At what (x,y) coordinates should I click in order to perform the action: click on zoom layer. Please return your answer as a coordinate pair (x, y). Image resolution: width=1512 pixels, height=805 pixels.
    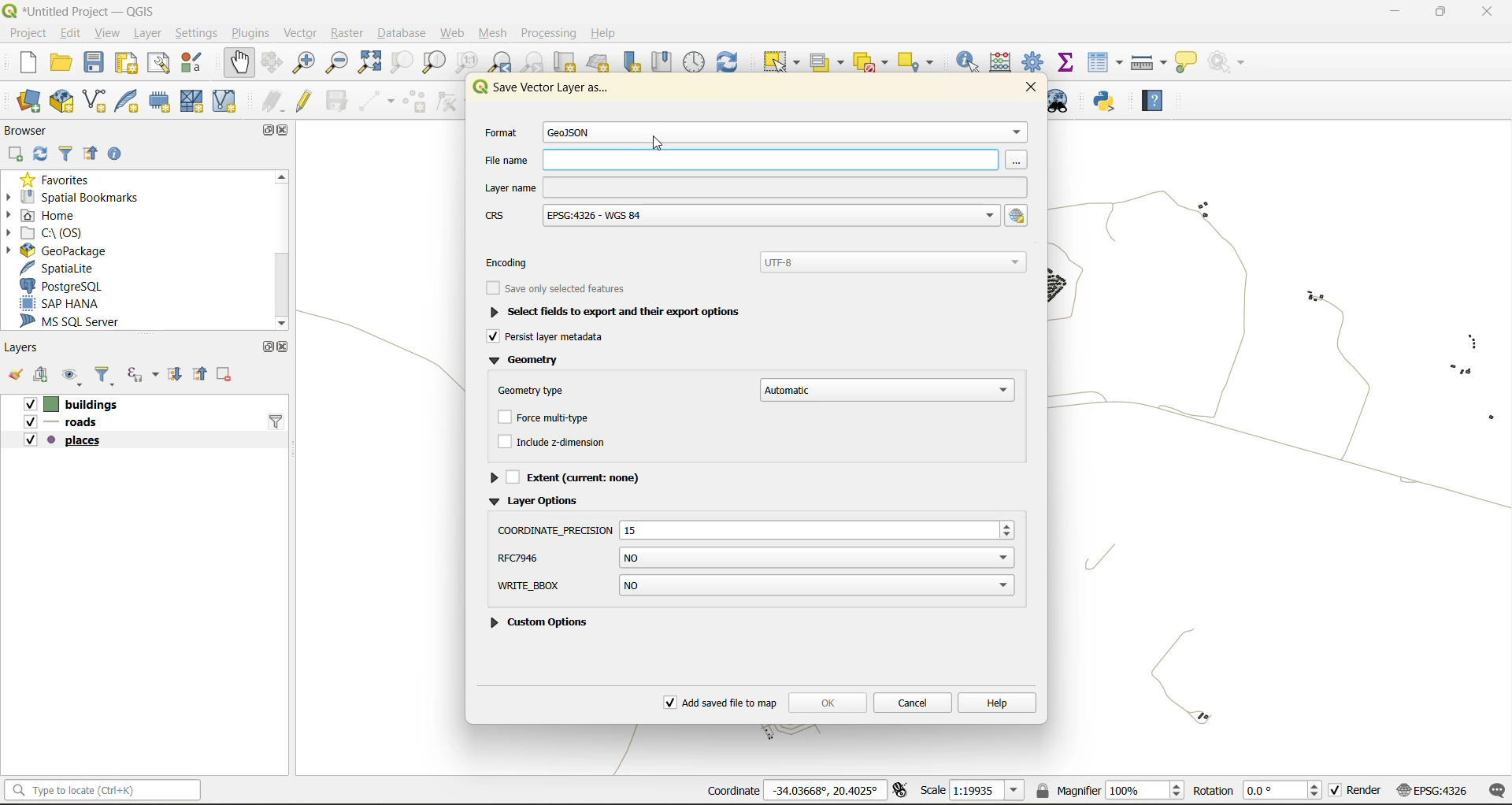
    Looking at the image, I should click on (434, 62).